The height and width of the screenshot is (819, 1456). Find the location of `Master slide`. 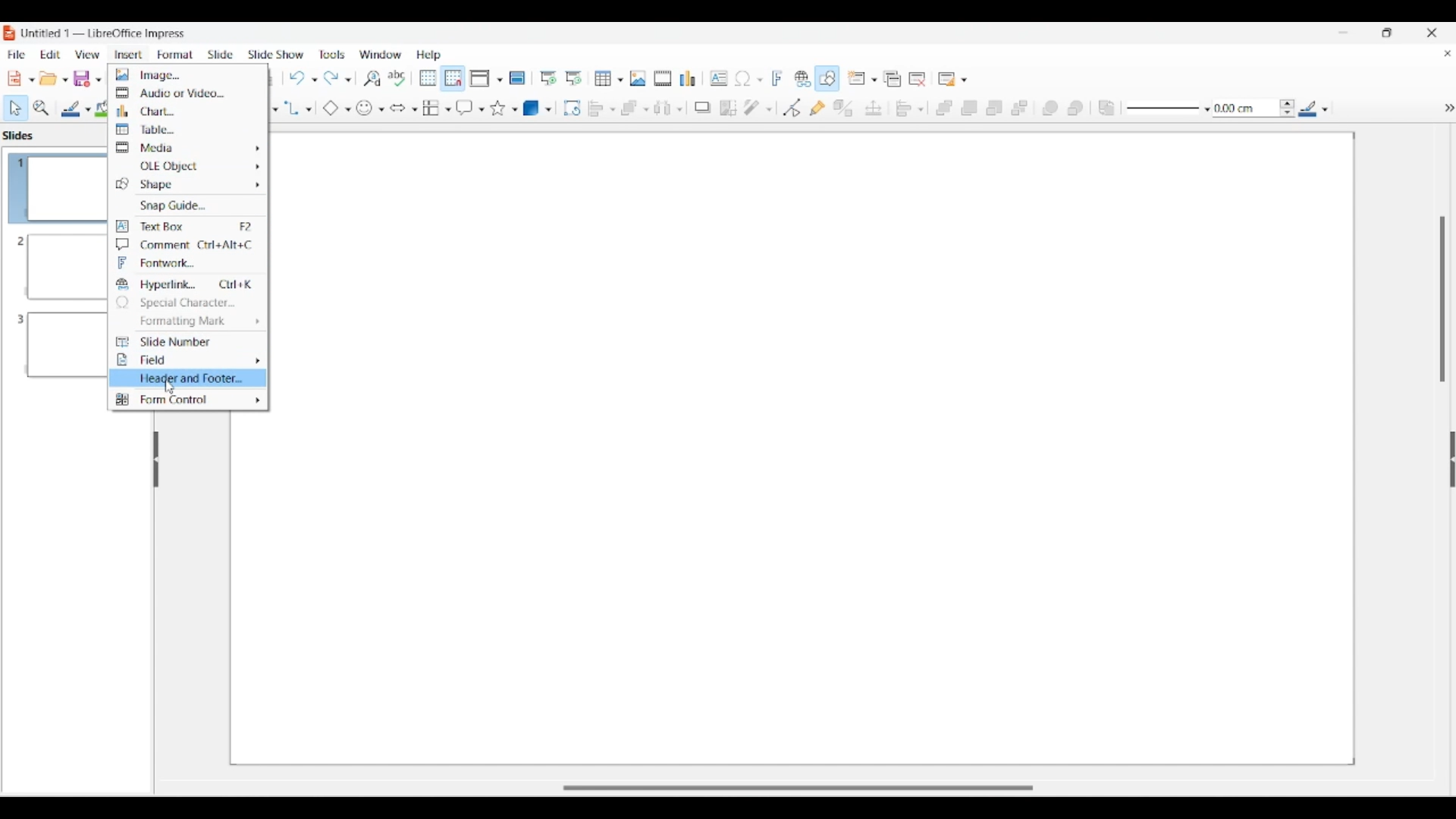

Master slide is located at coordinates (517, 77).